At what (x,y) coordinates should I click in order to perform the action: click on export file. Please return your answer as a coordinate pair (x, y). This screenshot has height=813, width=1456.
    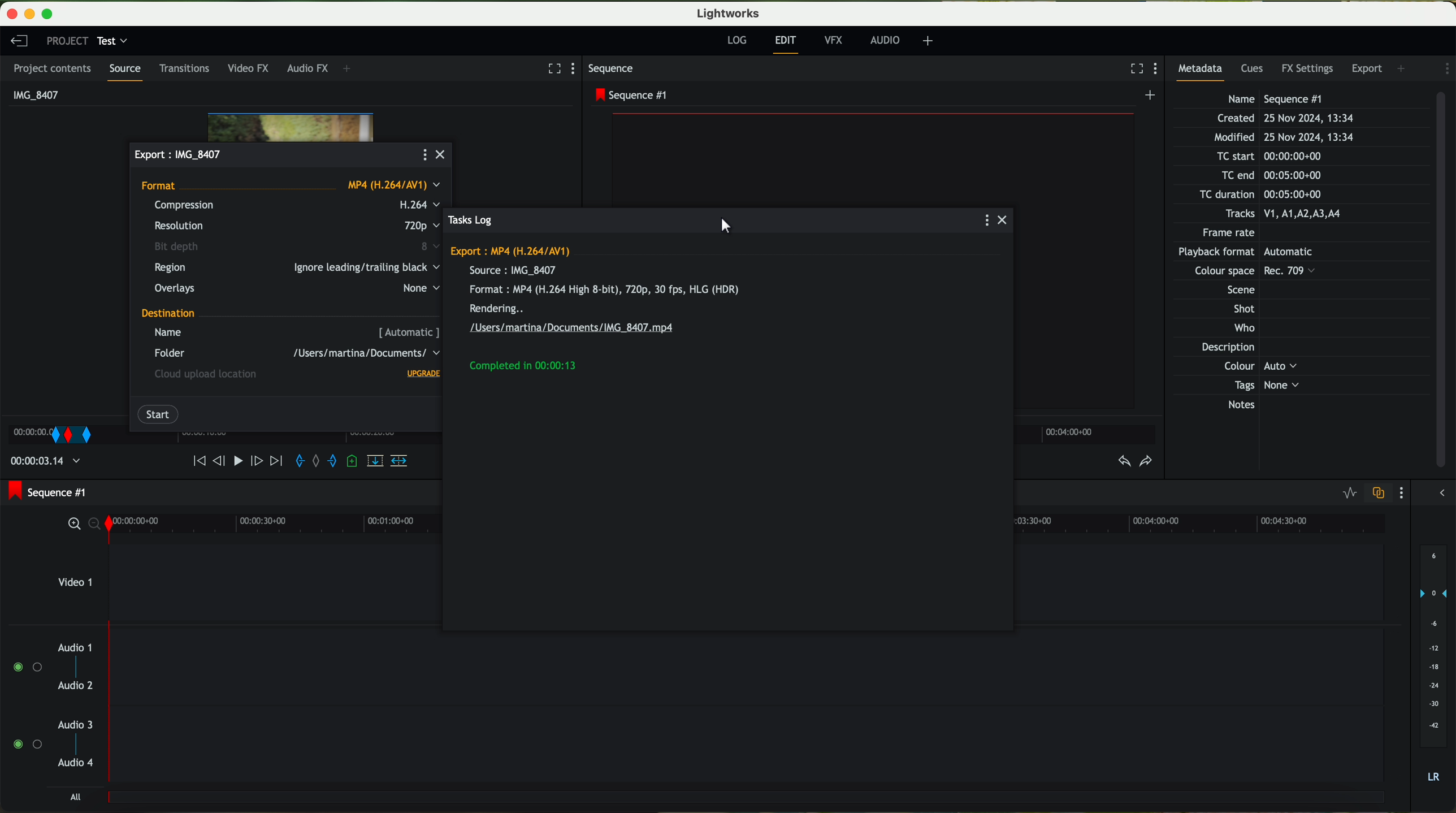
    Looking at the image, I should click on (180, 154).